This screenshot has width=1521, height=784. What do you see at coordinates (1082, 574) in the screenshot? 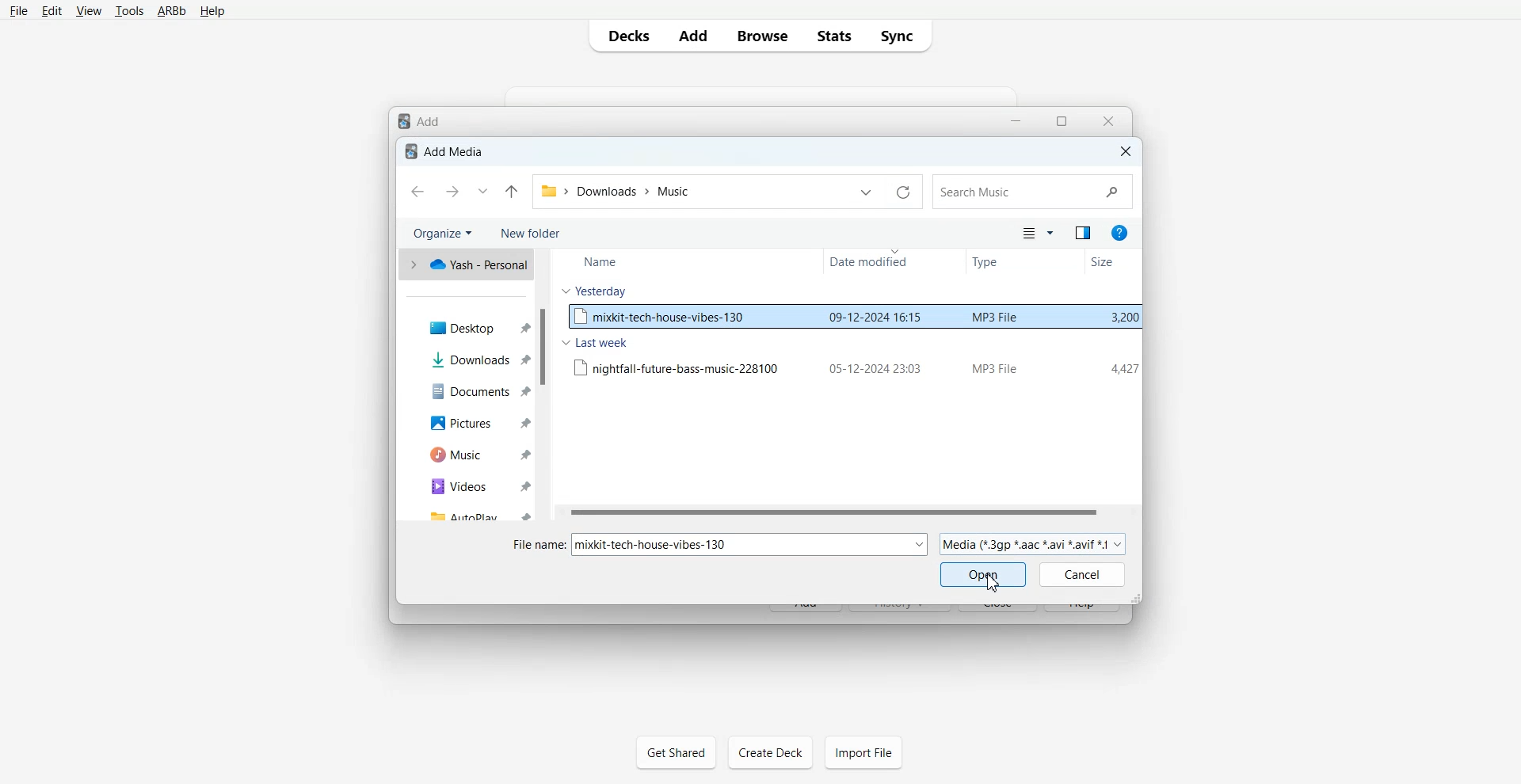
I see `Cancel` at bounding box center [1082, 574].